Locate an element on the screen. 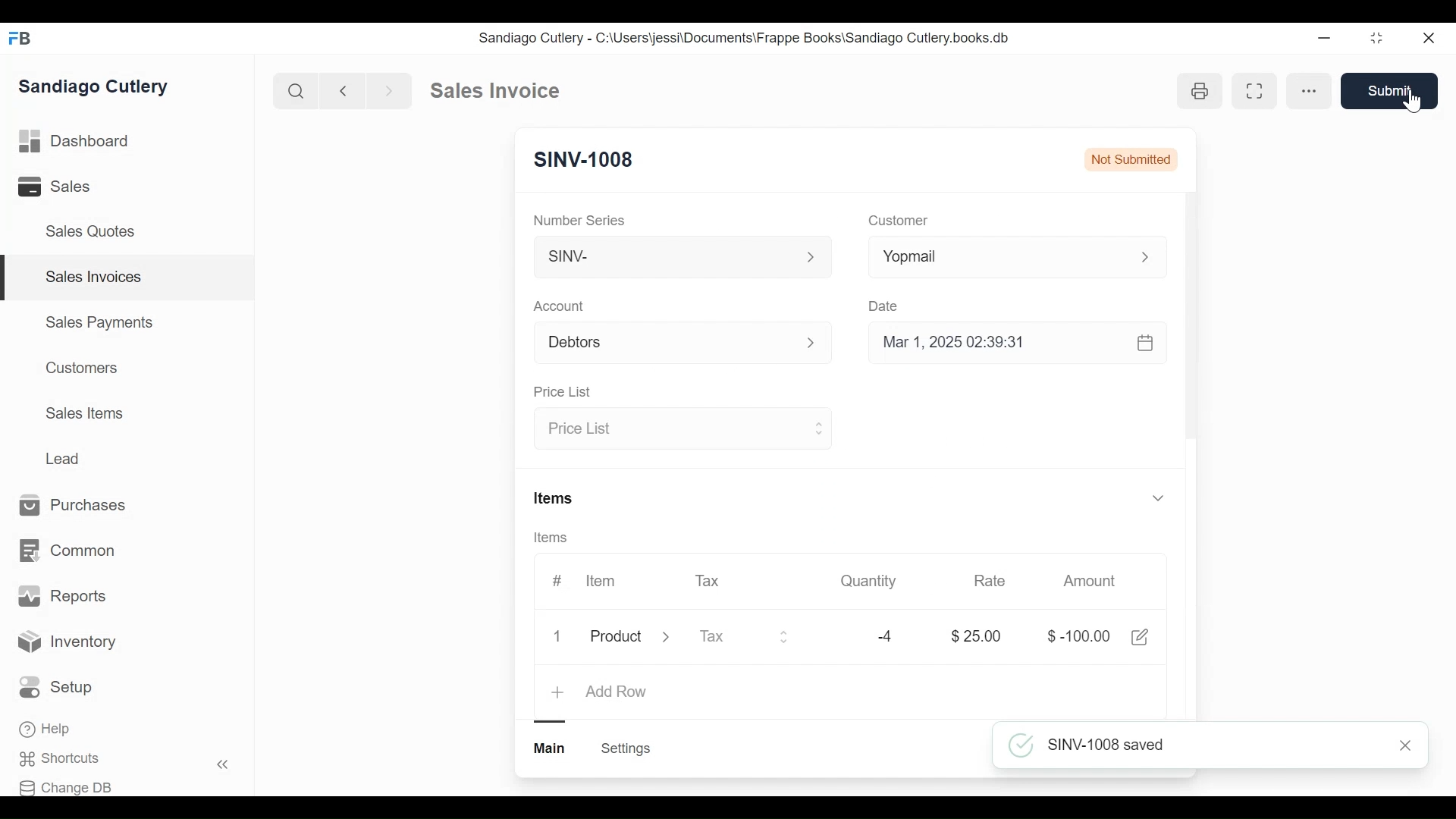 Image resolution: width=1456 pixels, height=819 pixels. Sales Invoices is located at coordinates (95, 277).